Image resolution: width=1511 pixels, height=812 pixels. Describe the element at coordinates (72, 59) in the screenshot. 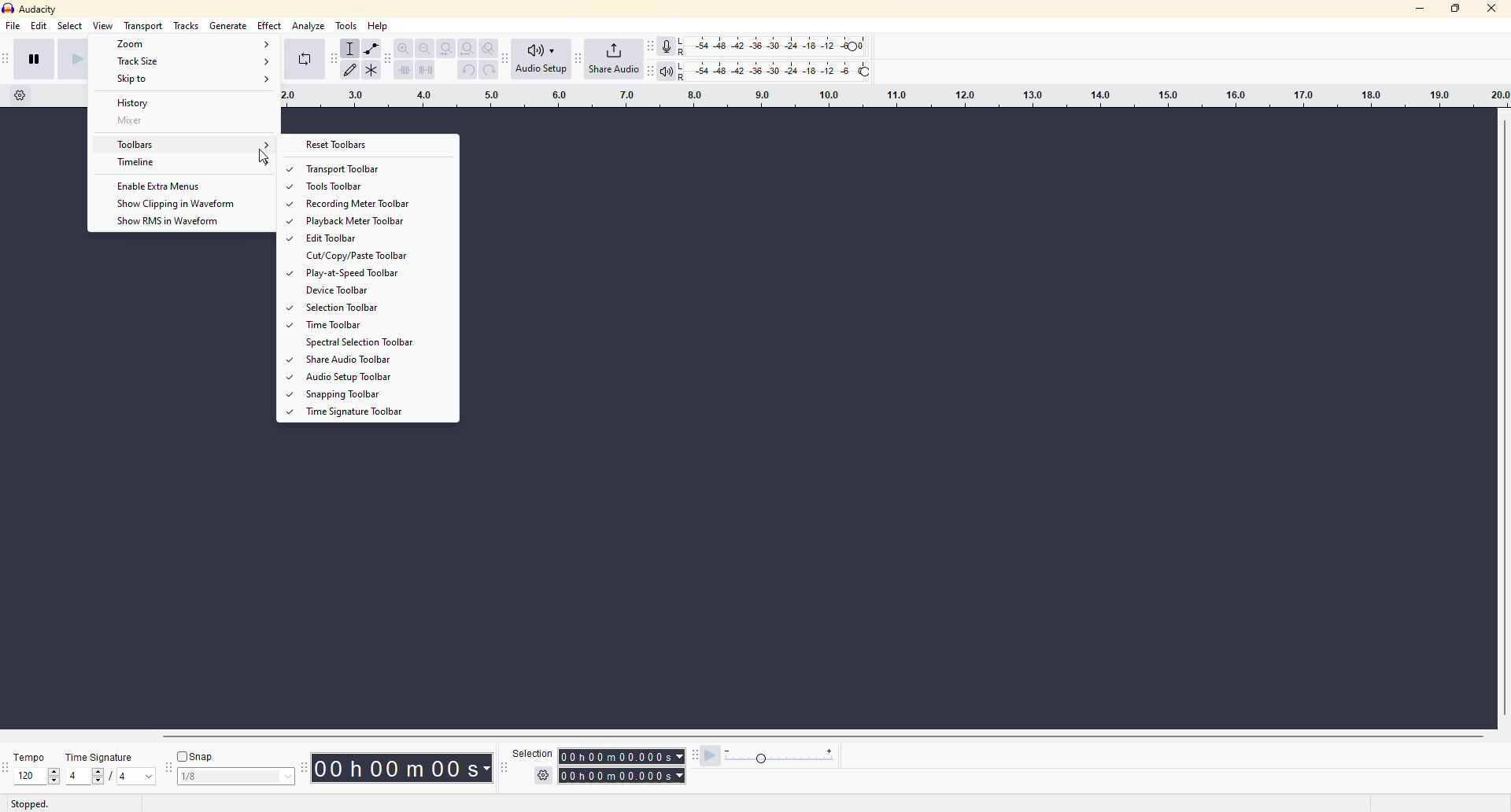

I see `play` at that location.